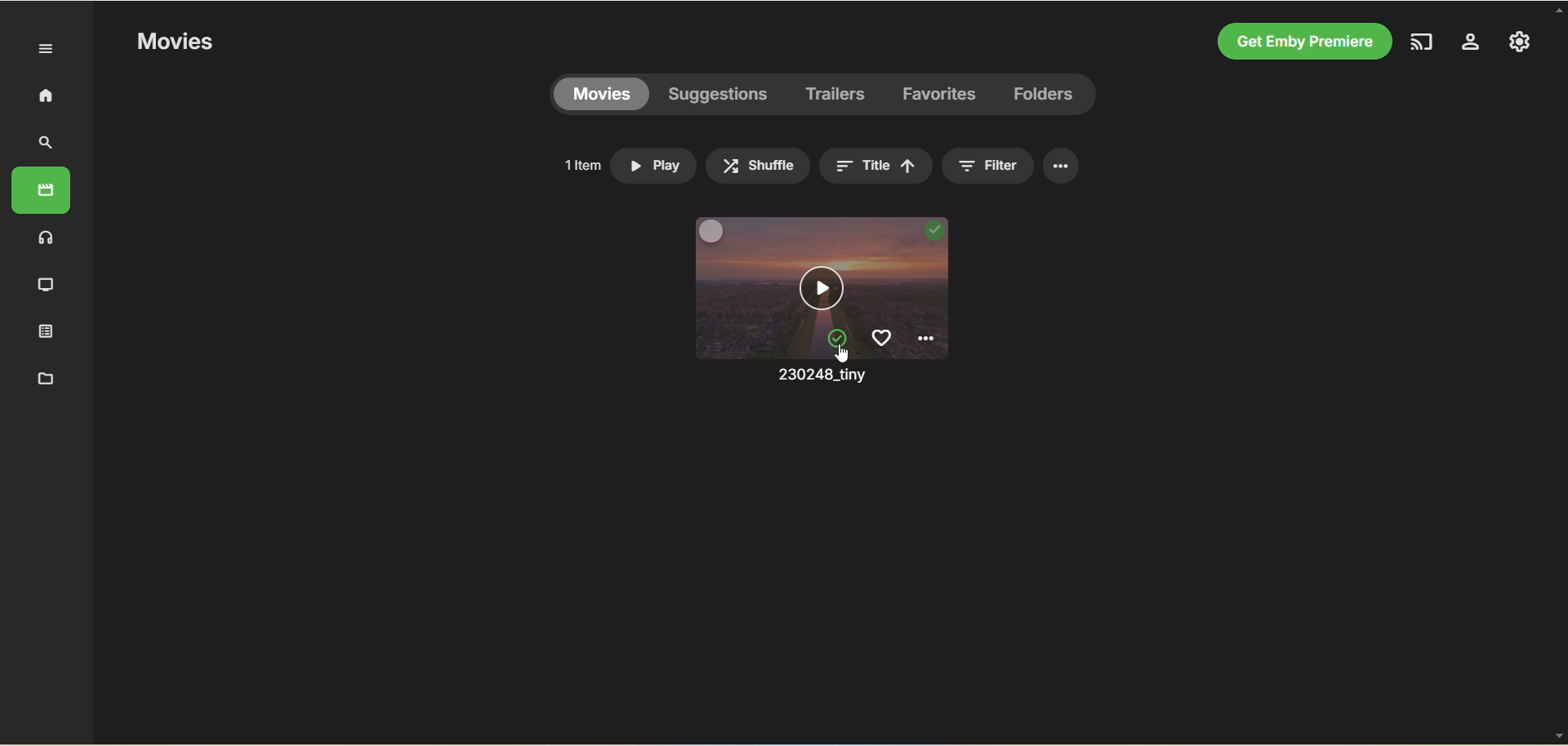  What do you see at coordinates (1468, 42) in the screenshot?
I see `manage emby server` at bounding box center [1468, 42].